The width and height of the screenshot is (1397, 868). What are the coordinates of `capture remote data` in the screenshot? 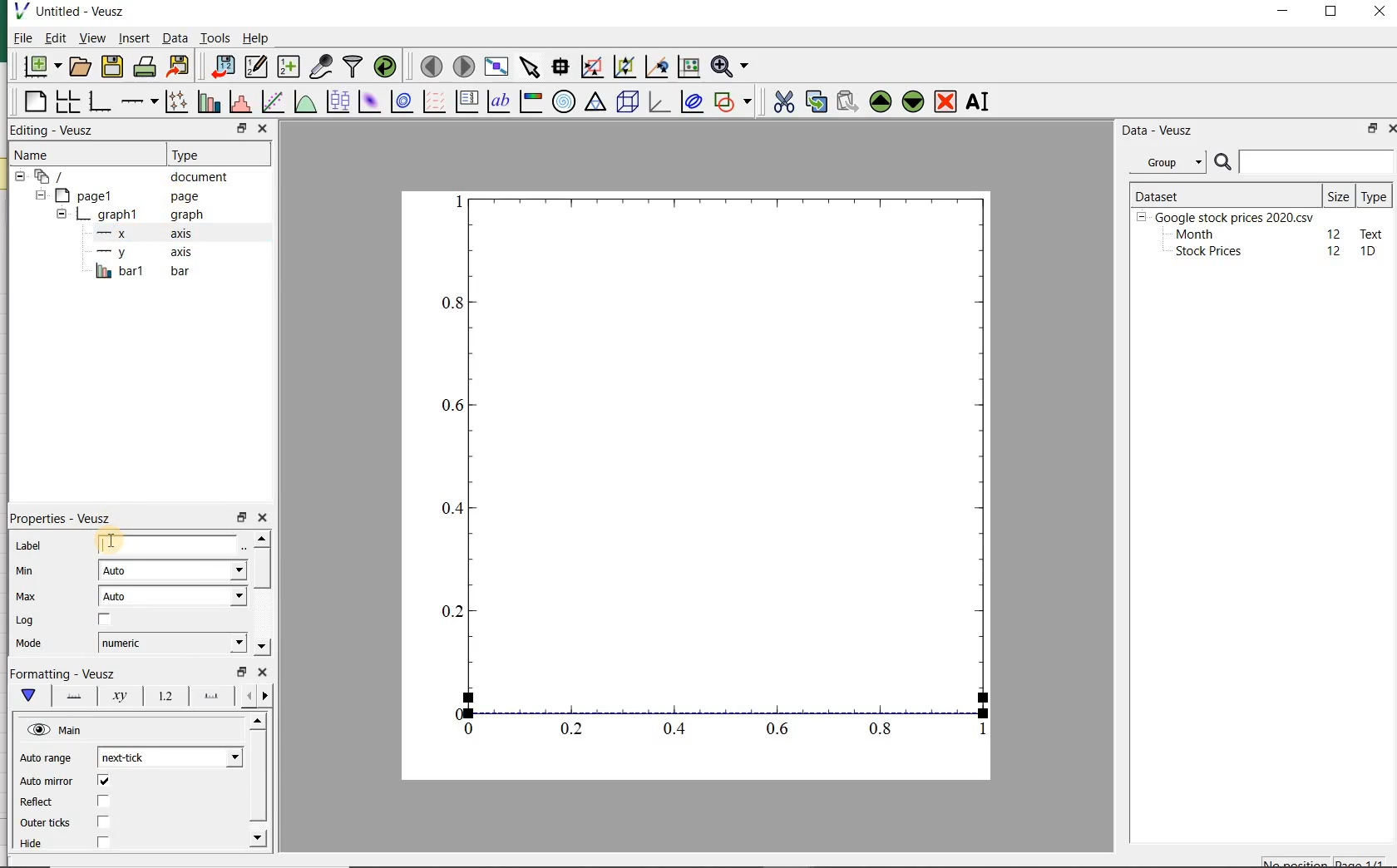 It's located at (321, 67).